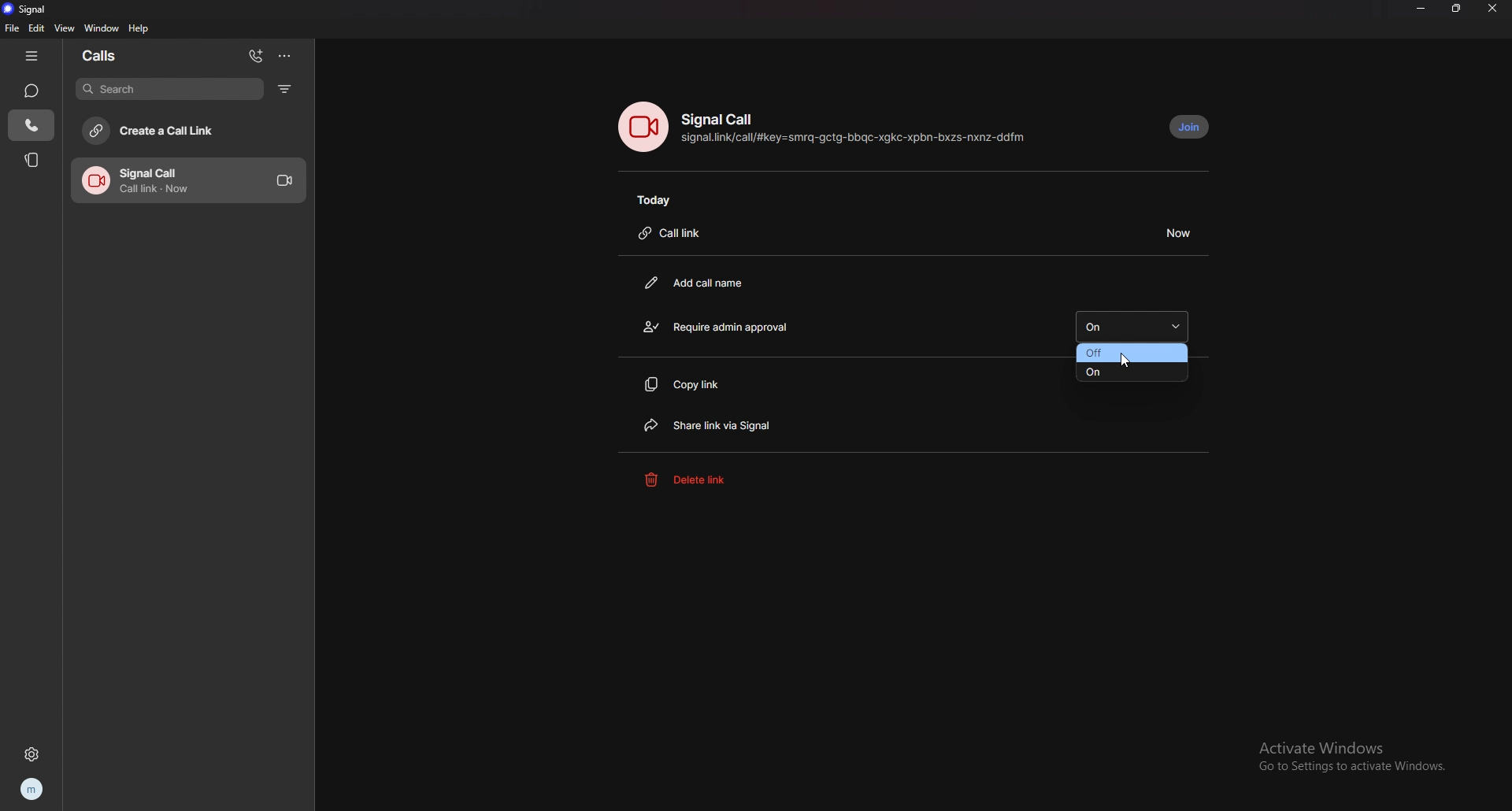  What do you see at coordinates (1132, 373) in the screenshot?
I see `on` at bounding box center [1132, 373].